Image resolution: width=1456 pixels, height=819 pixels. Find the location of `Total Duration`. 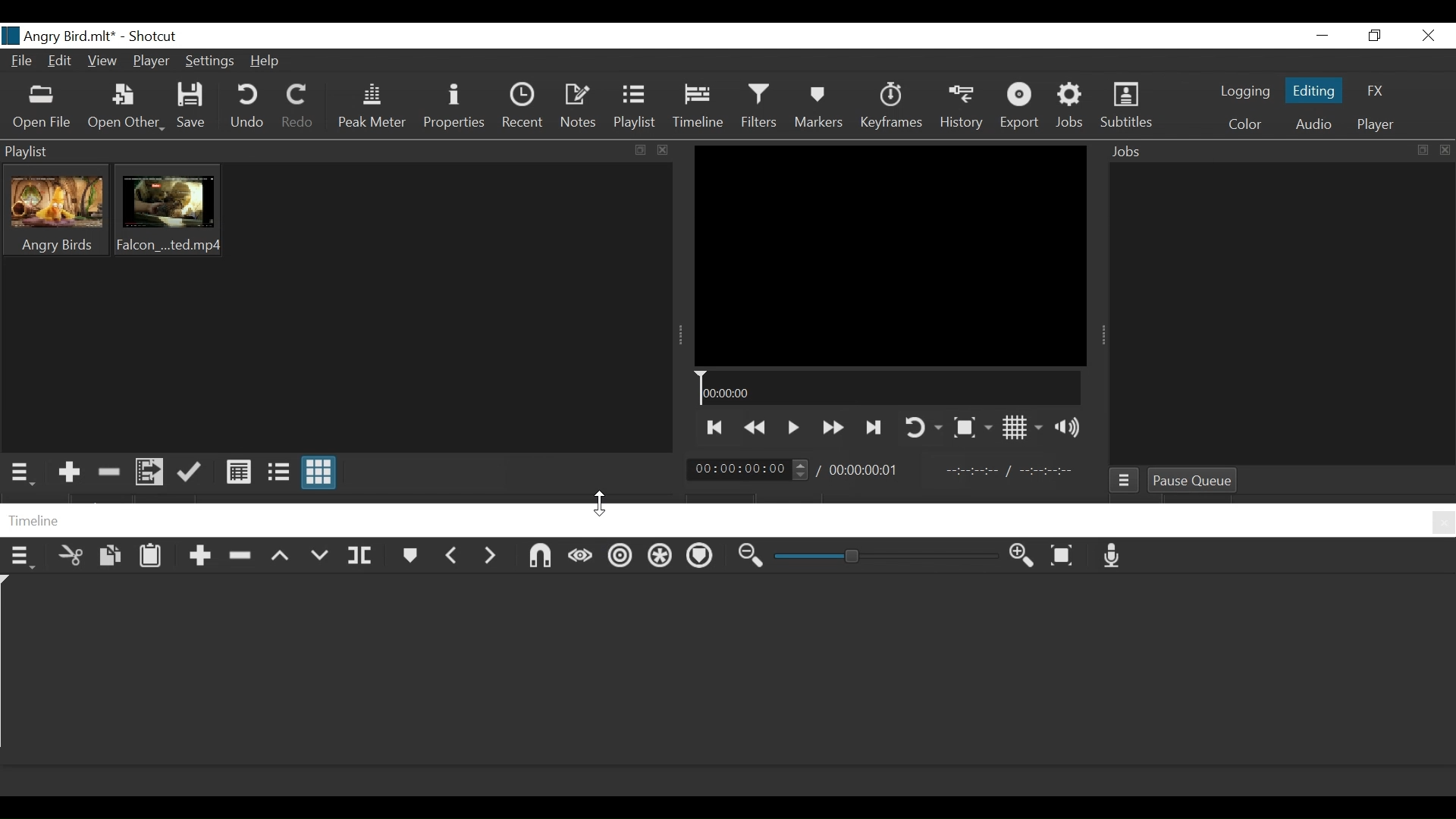

Total Duration is located at coordinates (870, 469).